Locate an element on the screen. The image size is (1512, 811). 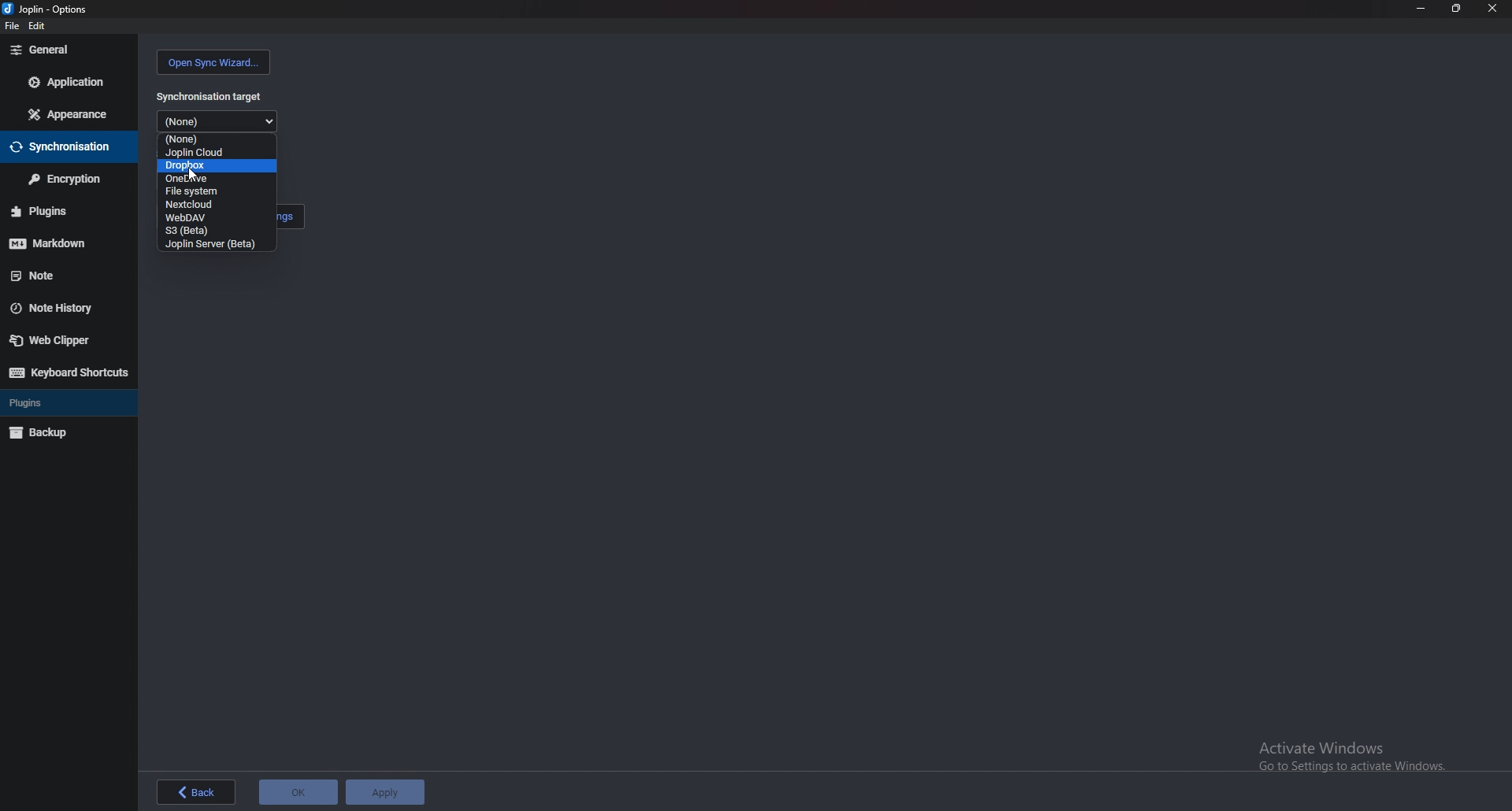
open sync wizard is located at coordinates (213, 63).